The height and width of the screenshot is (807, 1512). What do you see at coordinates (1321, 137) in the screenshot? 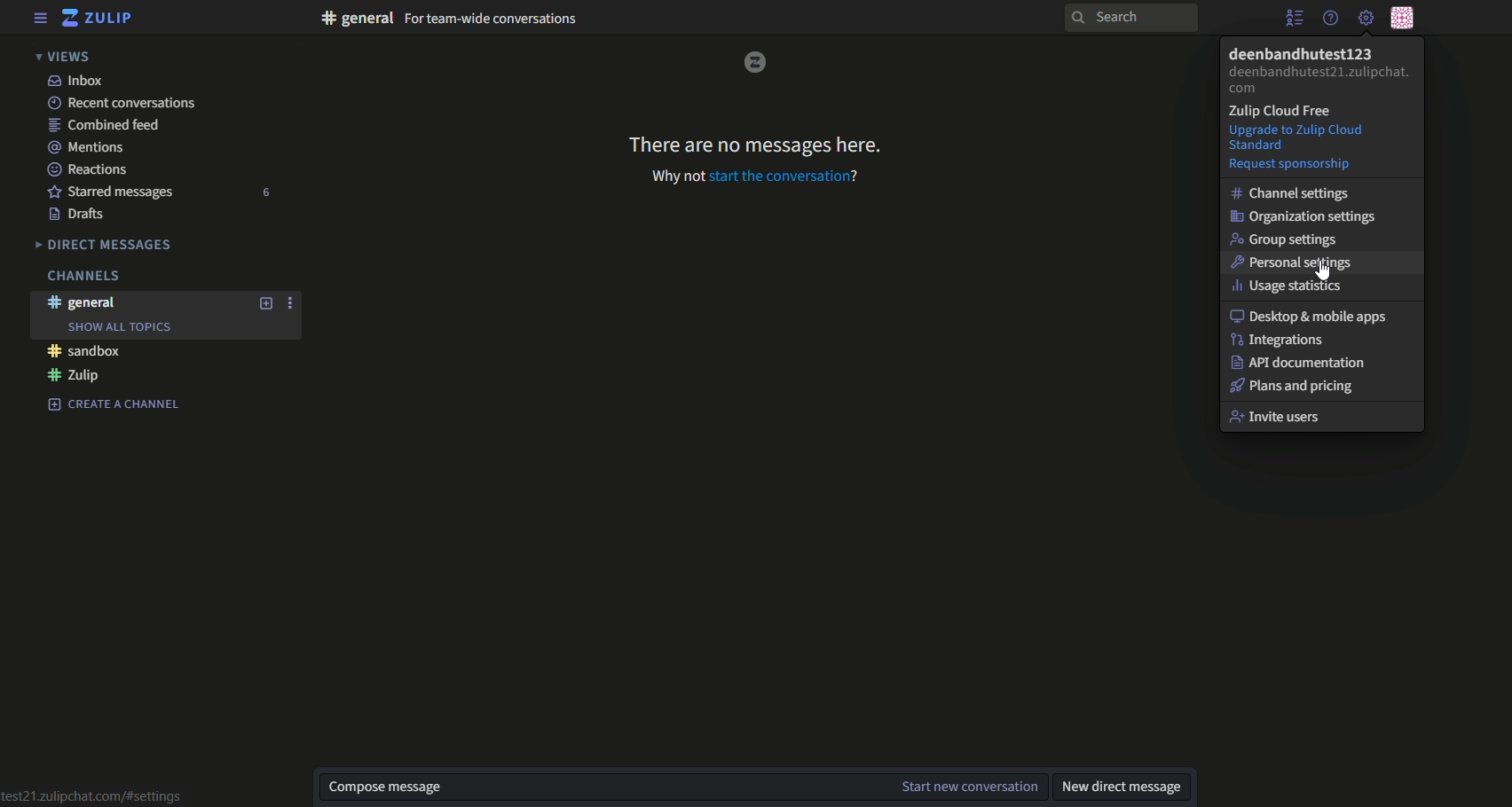
I see `Upgrade to zulip cloud standard` at bounding box center [1321, 137].